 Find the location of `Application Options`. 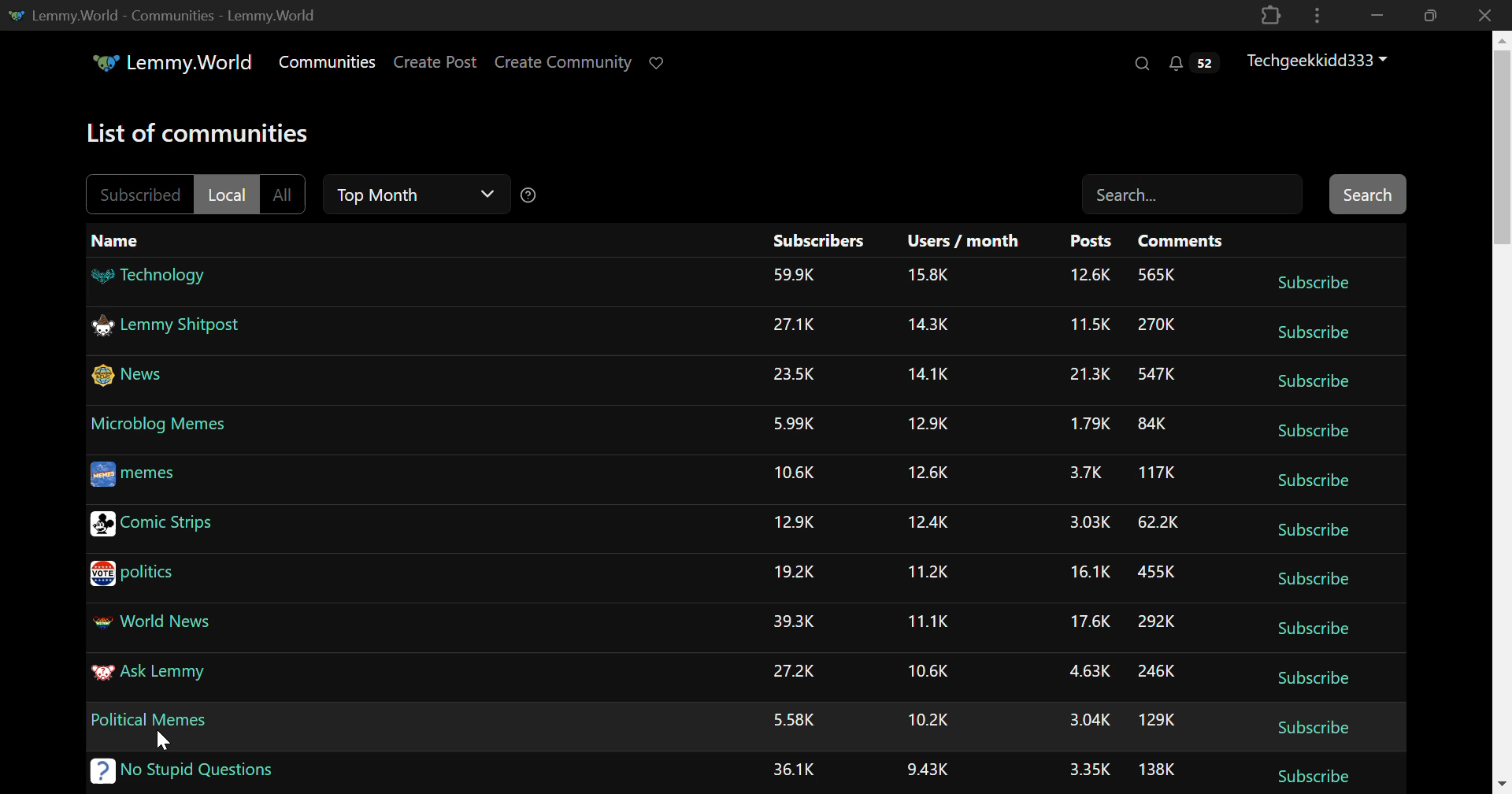

Application Options is located at coordinates (1317, 14).